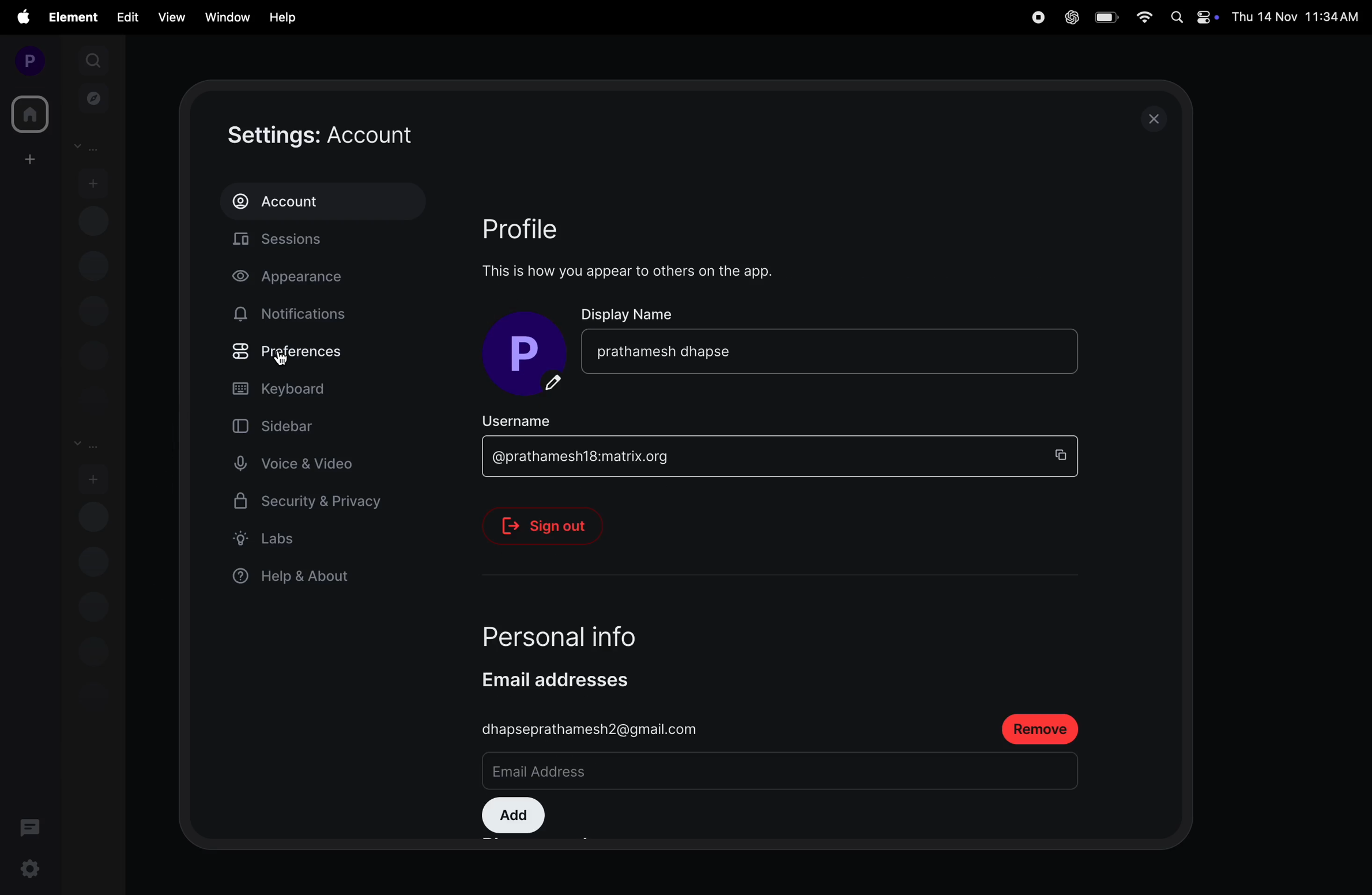 The width and height of the screenshot is (1372, 895). Describe the element at coordinates (529, 357) in the screenshot. I see `display picture` at that location.